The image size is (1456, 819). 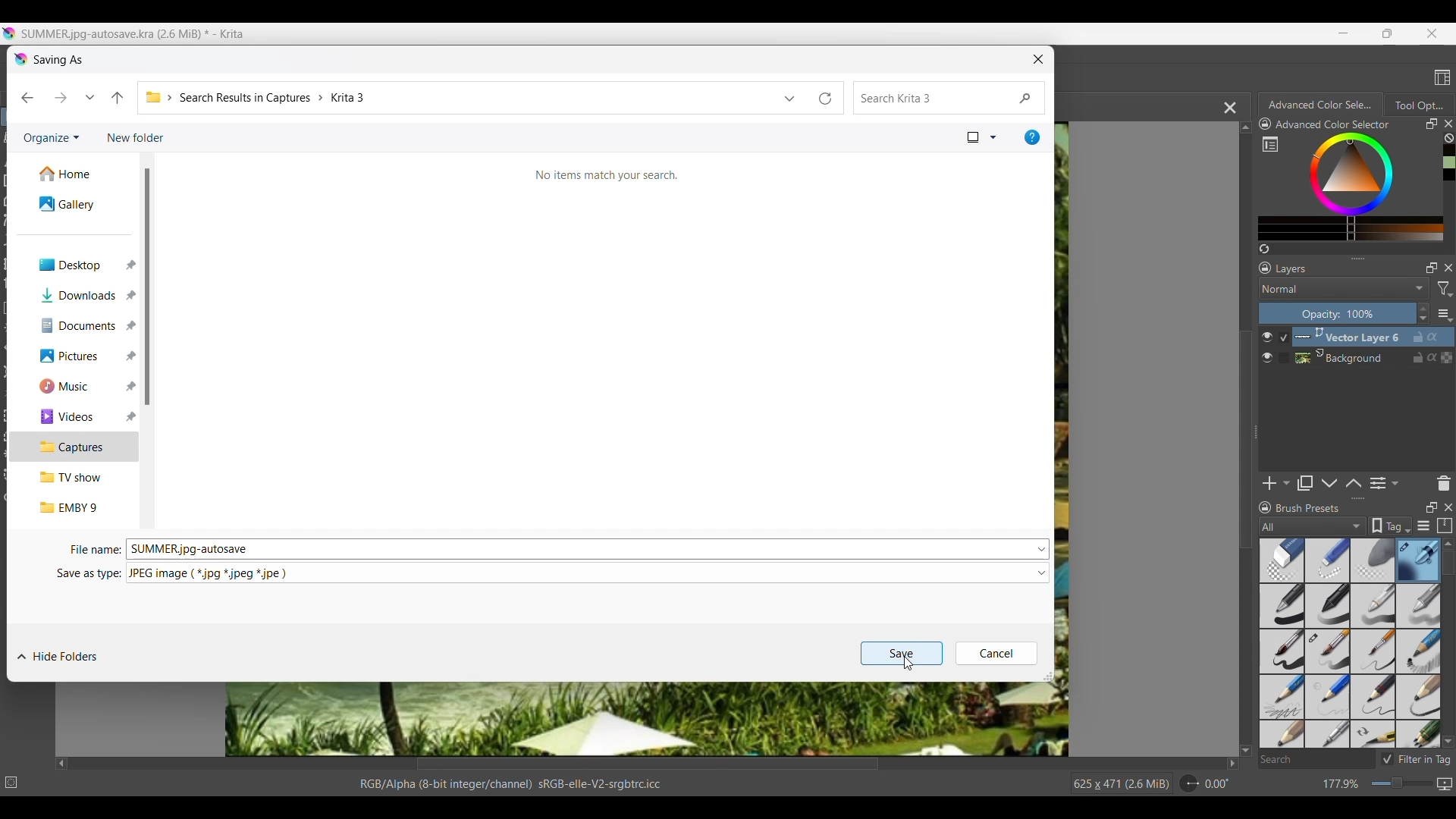 I want to click on List current folders, so click(x=789, y=98).